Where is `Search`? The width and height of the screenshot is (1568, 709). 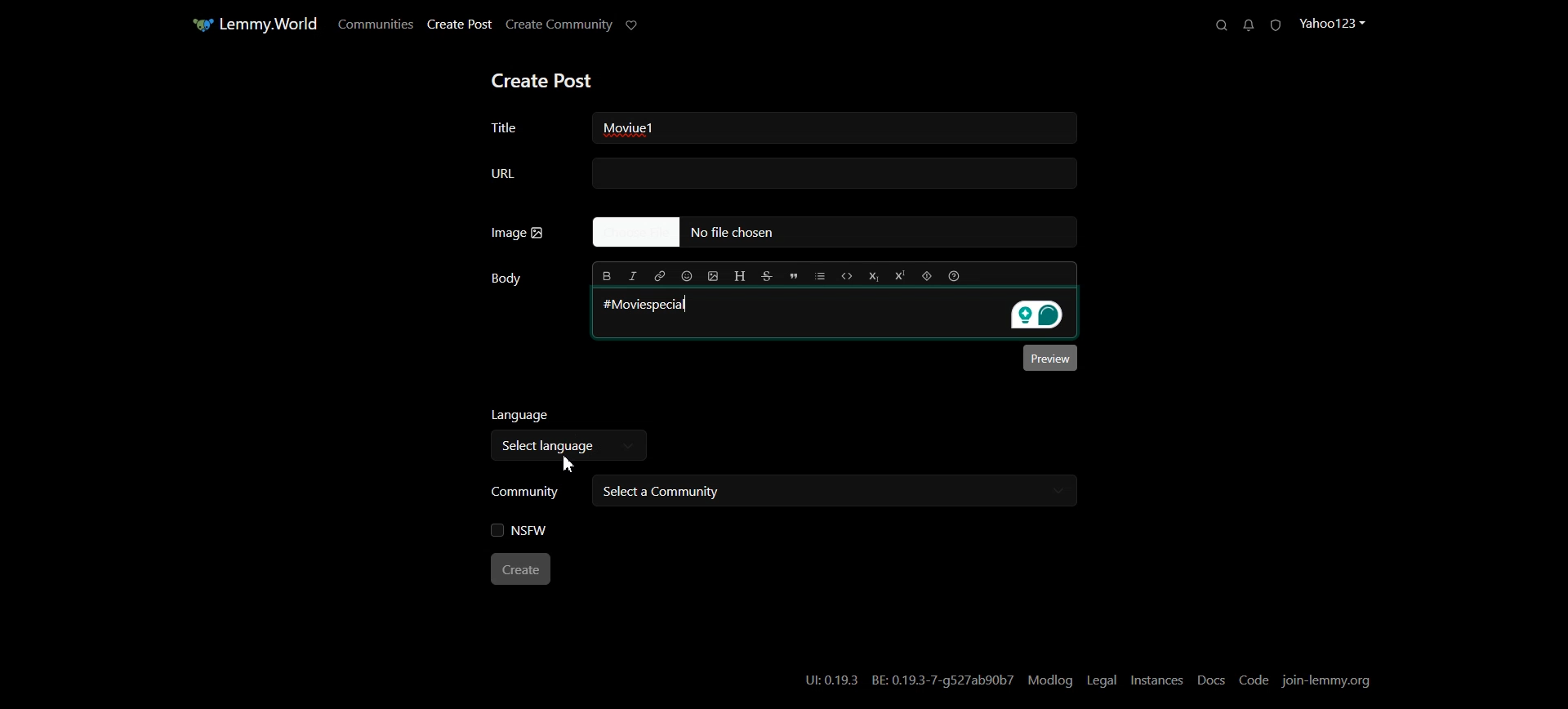 Search is located at coordinates (1217, 25).